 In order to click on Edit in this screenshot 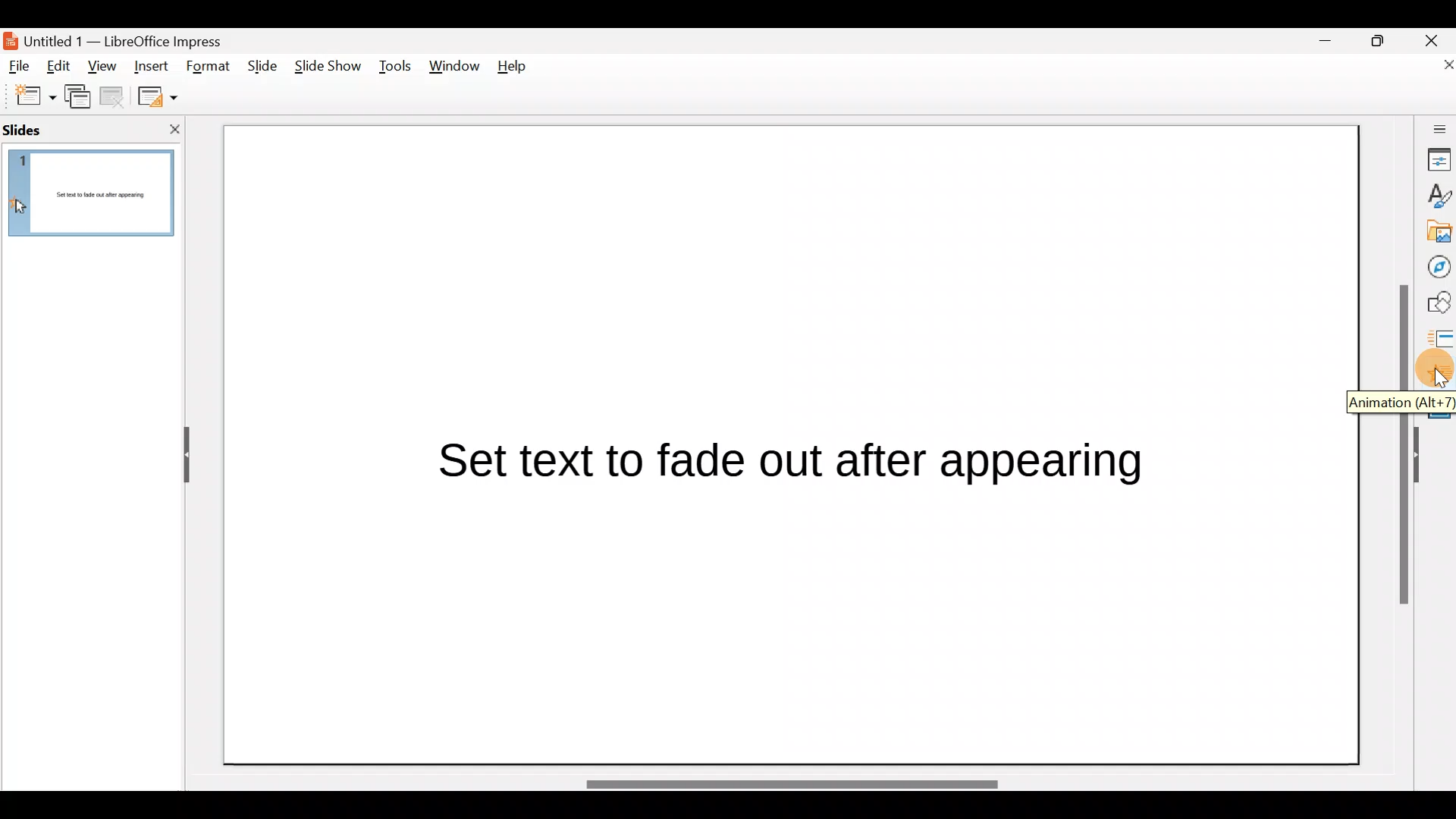, I will do `click(64, 67)`.